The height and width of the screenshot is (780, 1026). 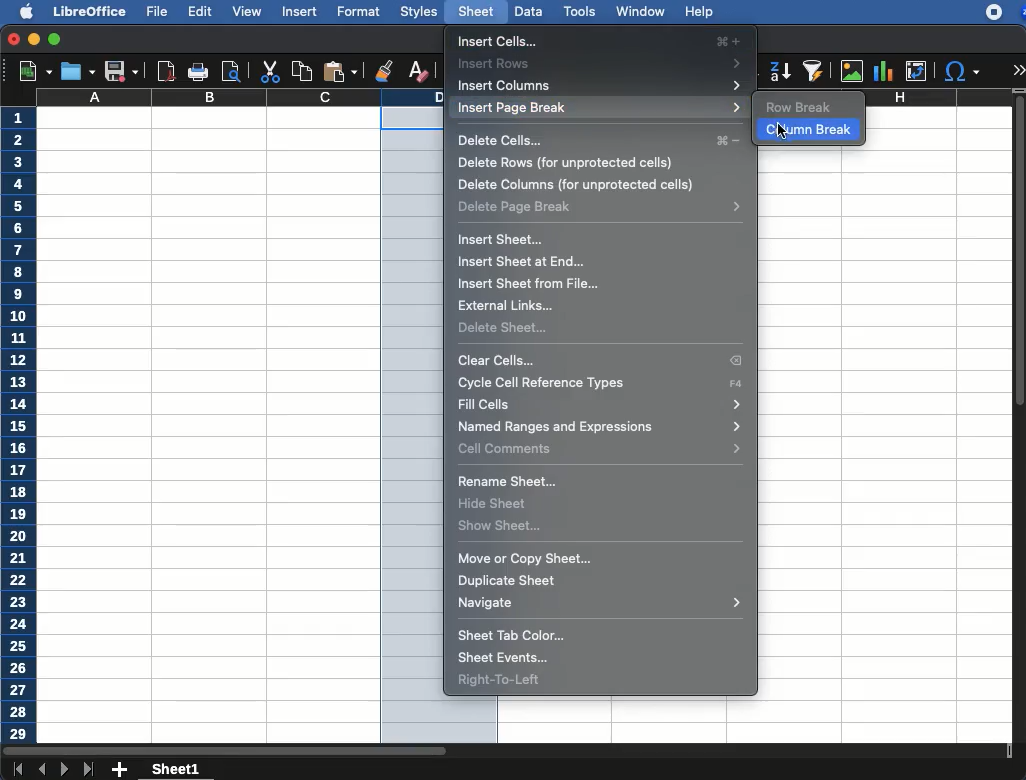 I want to click on delete cells, so click(x=601, y=142).